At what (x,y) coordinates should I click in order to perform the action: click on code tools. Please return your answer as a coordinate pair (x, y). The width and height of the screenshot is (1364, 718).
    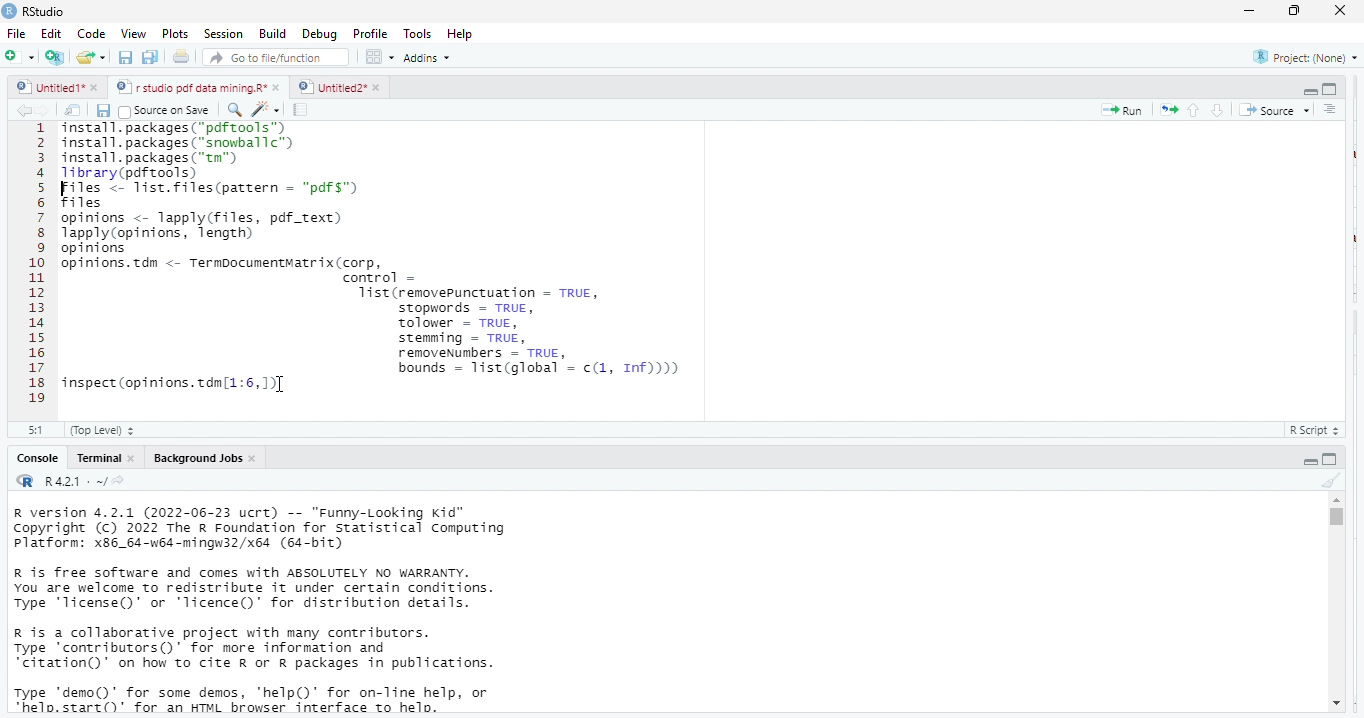
    Looking at the image, I should click on (265, 108).